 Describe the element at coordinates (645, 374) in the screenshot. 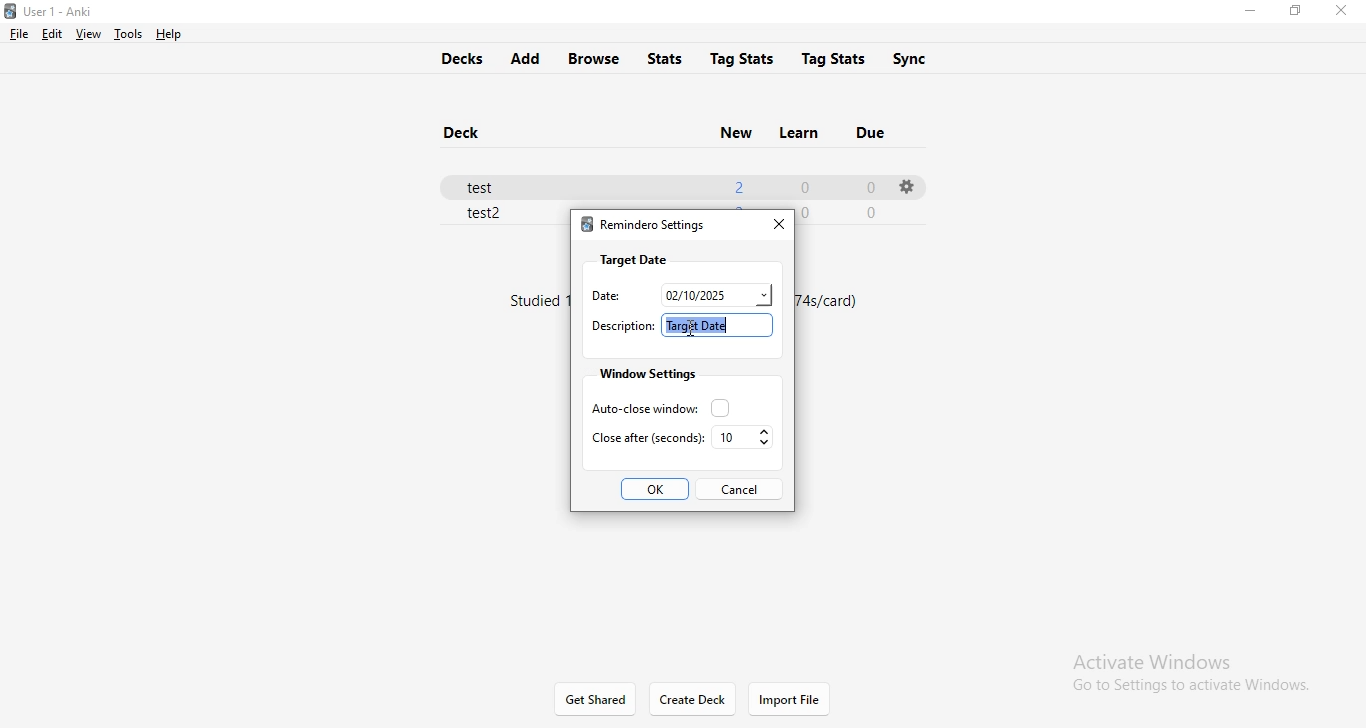

I see `window settings` at that location.